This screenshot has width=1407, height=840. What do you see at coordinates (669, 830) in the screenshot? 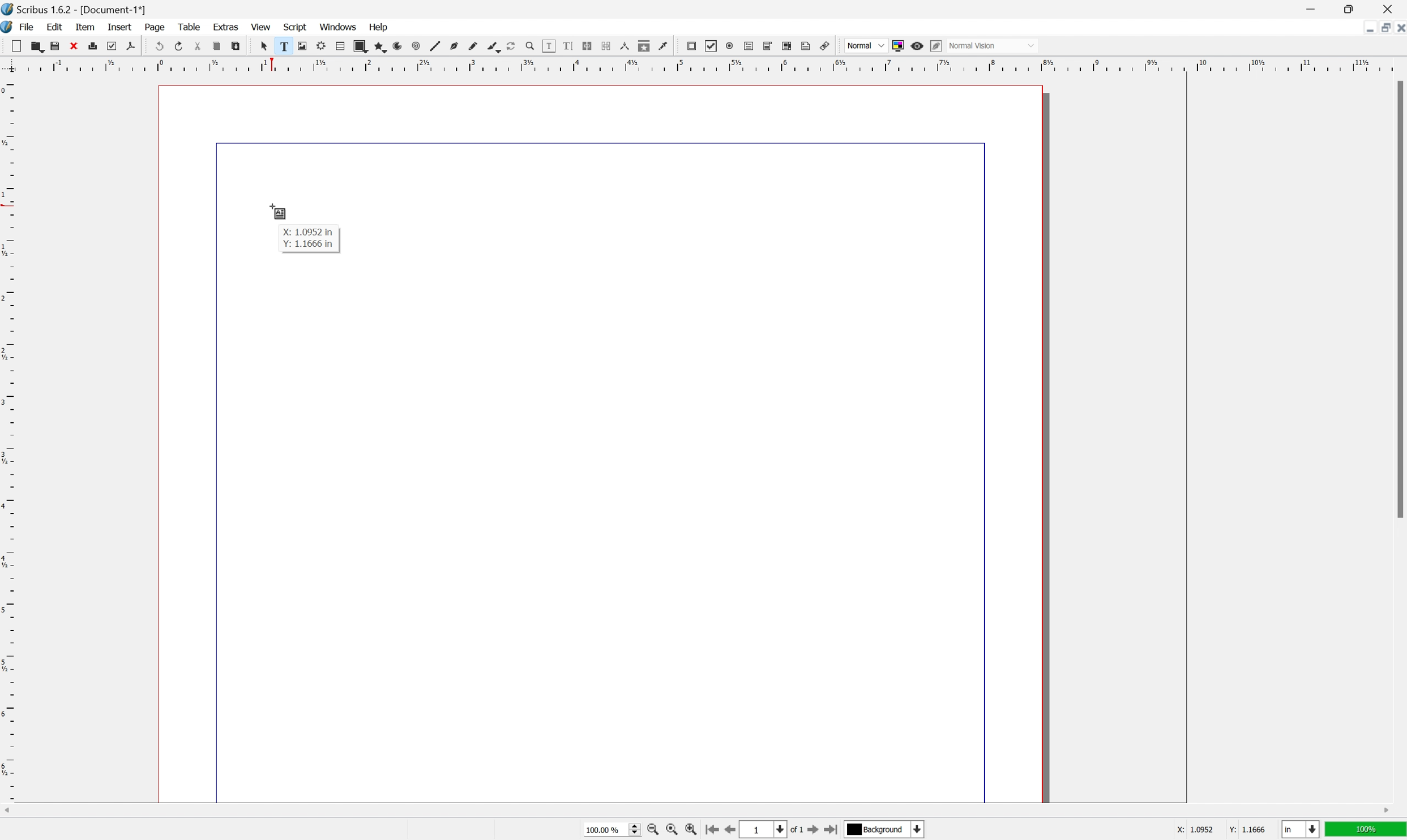
I see `zoom to 100%` at bounding box center [669, 830].